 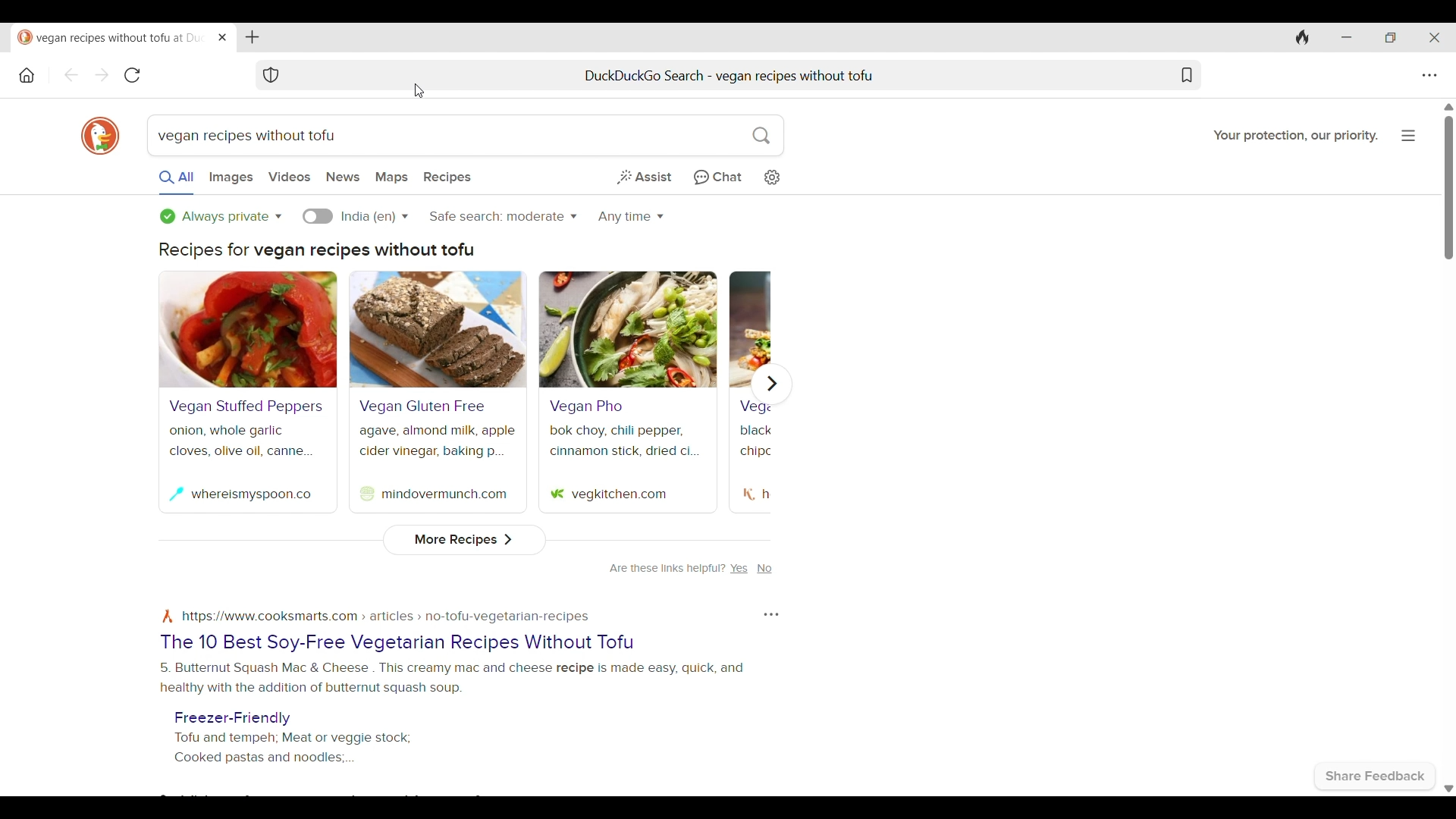 I want to click on https://www.cooksmarts.com » articles » no-tofu-vegetarian-recipes, so click(x=385, y=617).